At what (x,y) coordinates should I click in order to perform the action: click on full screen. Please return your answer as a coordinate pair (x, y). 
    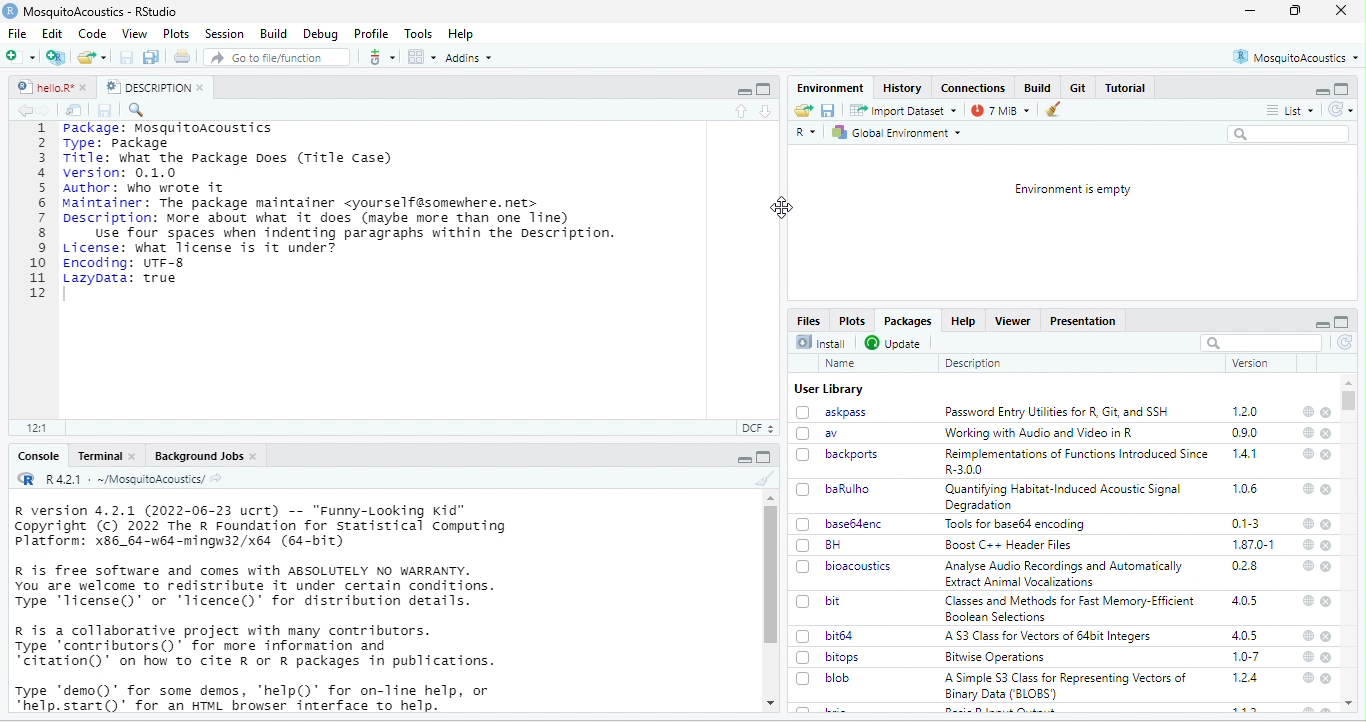
    Looking at the image, I should click on (764, 89).